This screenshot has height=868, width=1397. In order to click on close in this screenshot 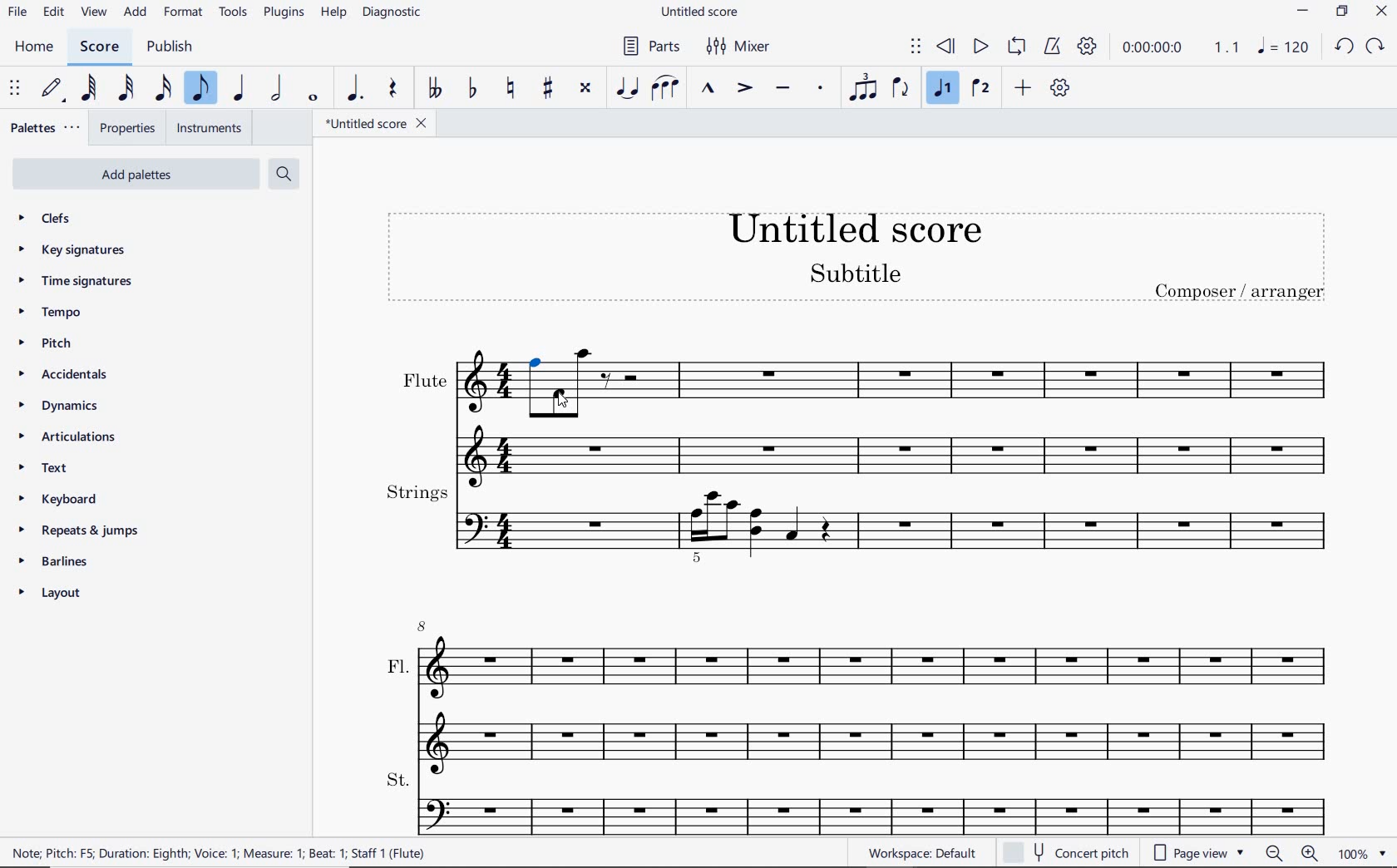, I will do `click(1384, 13)`.